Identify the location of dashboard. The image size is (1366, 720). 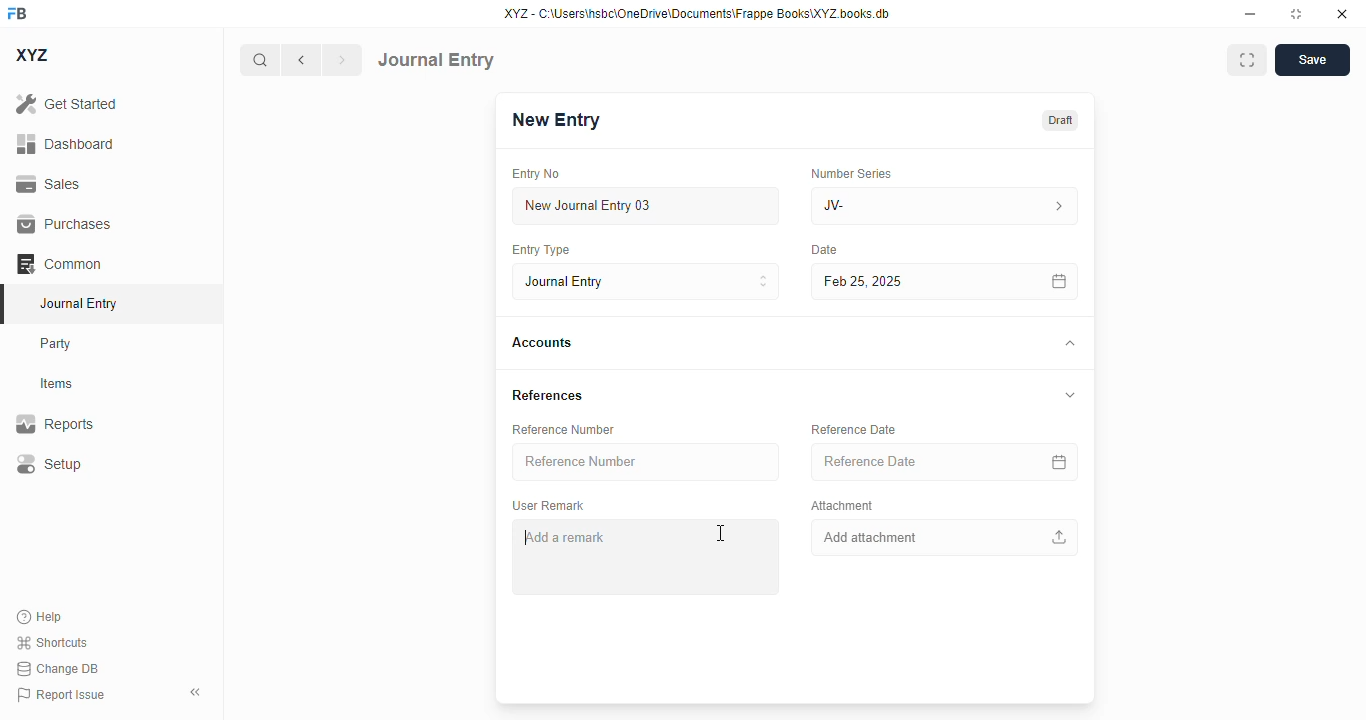
(66, 144).